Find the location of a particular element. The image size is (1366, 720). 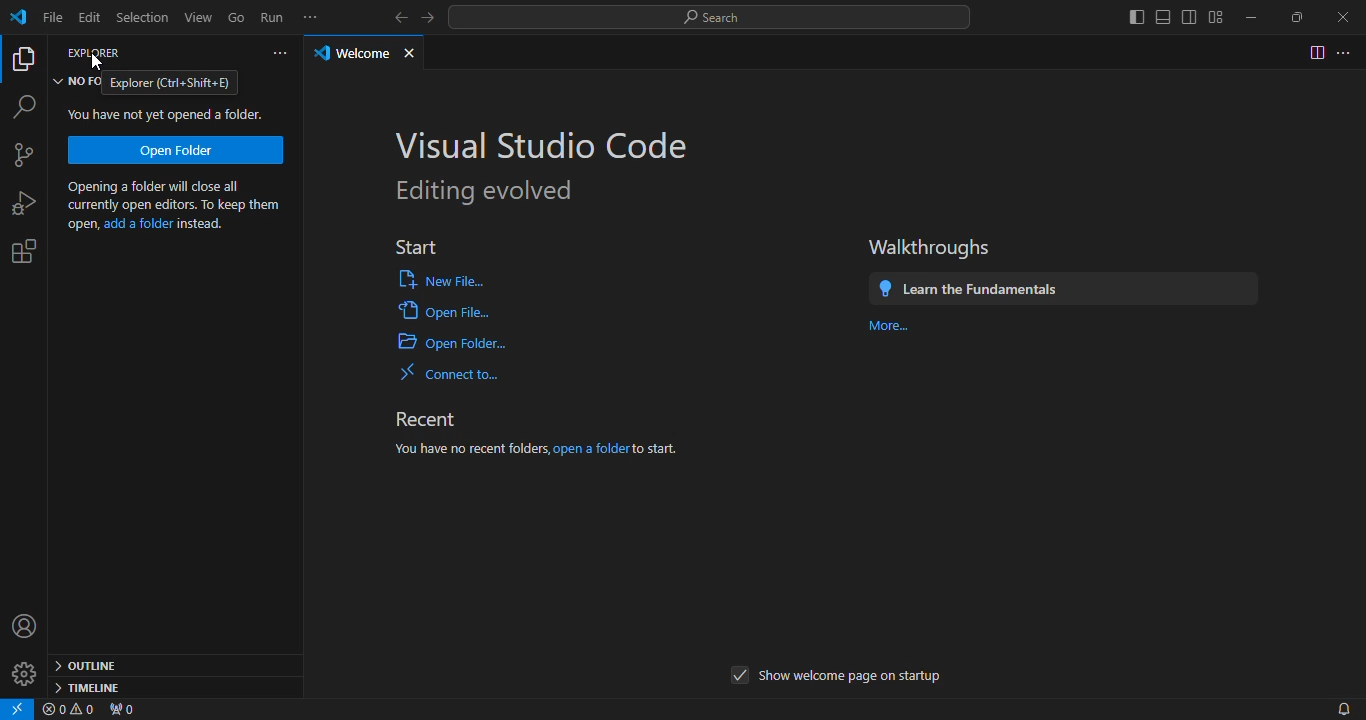

Search is located at coordinates (714, 19).